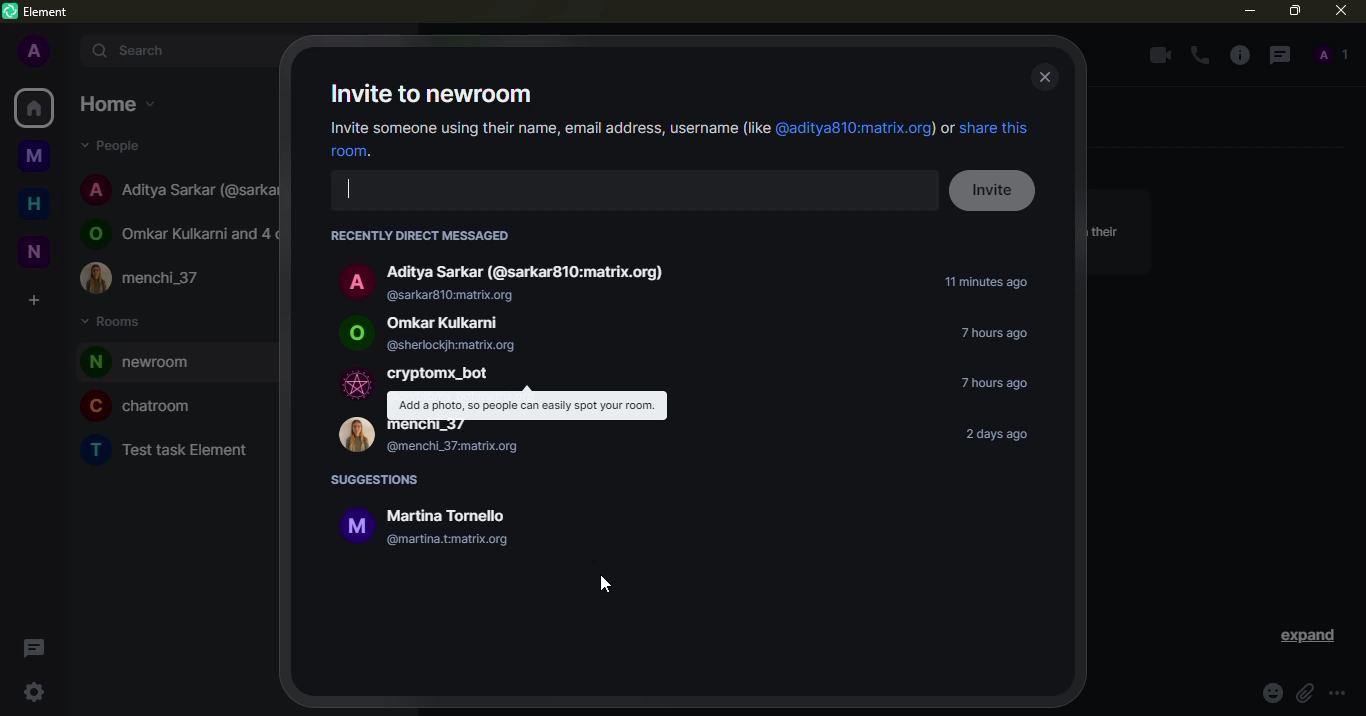 This screenshot has width=1366, height=716. Describe the element at coordinates (1281, 56) in the screenshot. I see `threads` at that location.